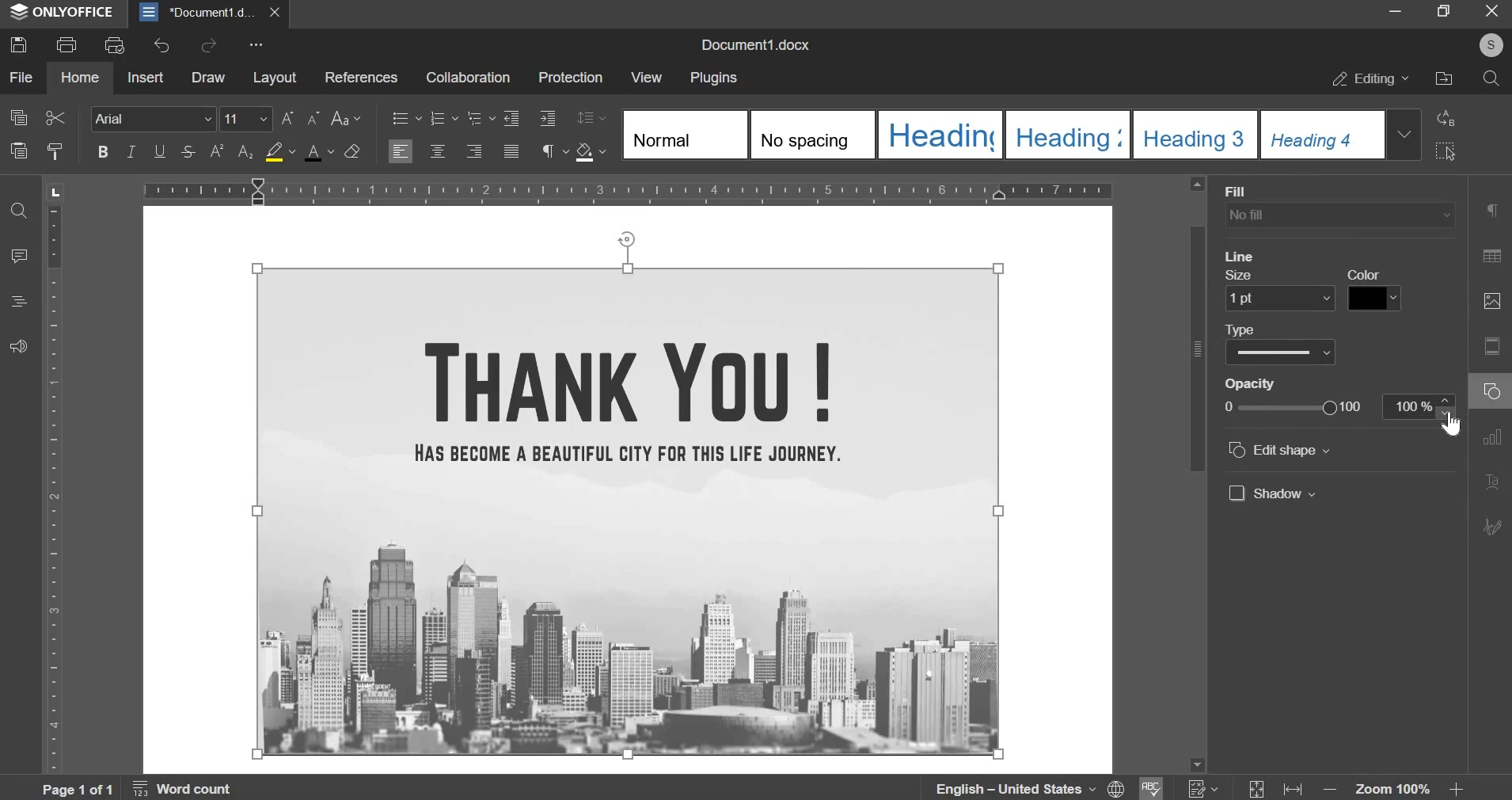 Image resolution: width=1512 pixels, height=800 pixels. What do you see at coordinates (1447, 151) in the screenshot?
I see `select` at bounding box center [1447, 151].